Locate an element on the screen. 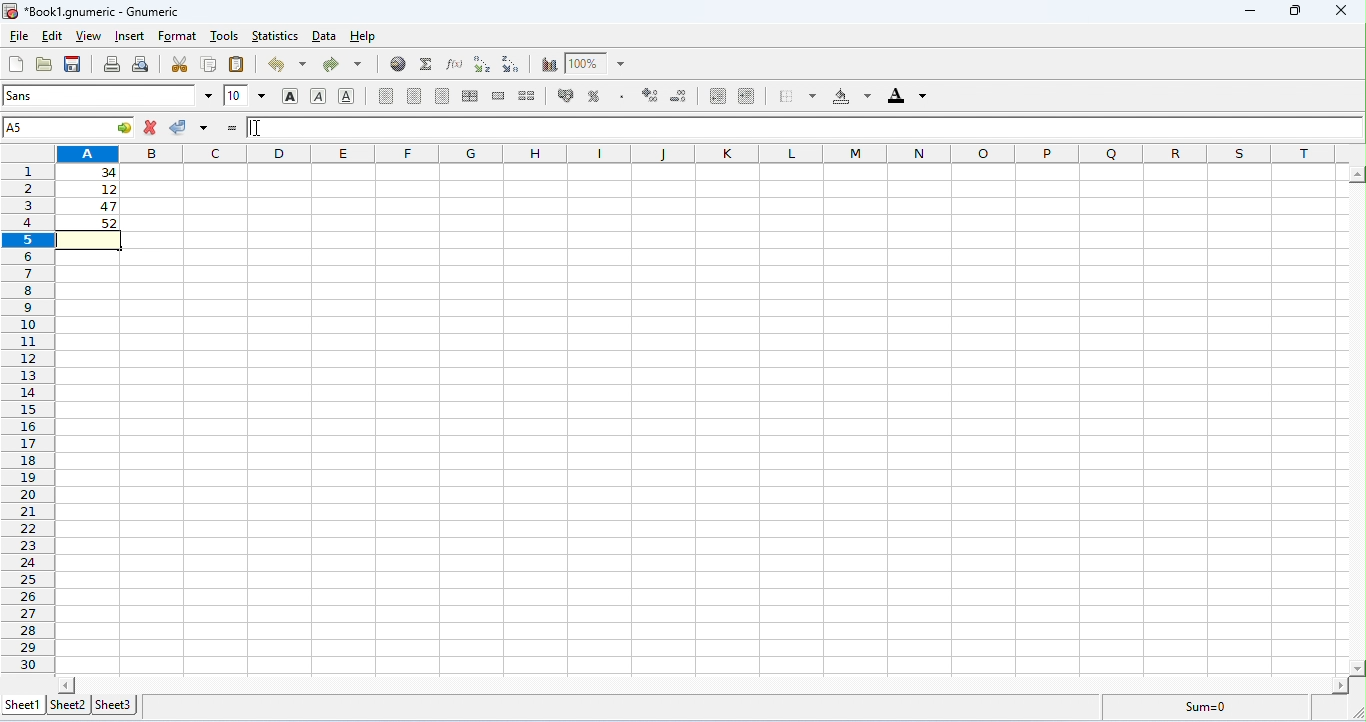 This screenshot has height=722, width=1366. sort descending is located at coordinates (513, 64).